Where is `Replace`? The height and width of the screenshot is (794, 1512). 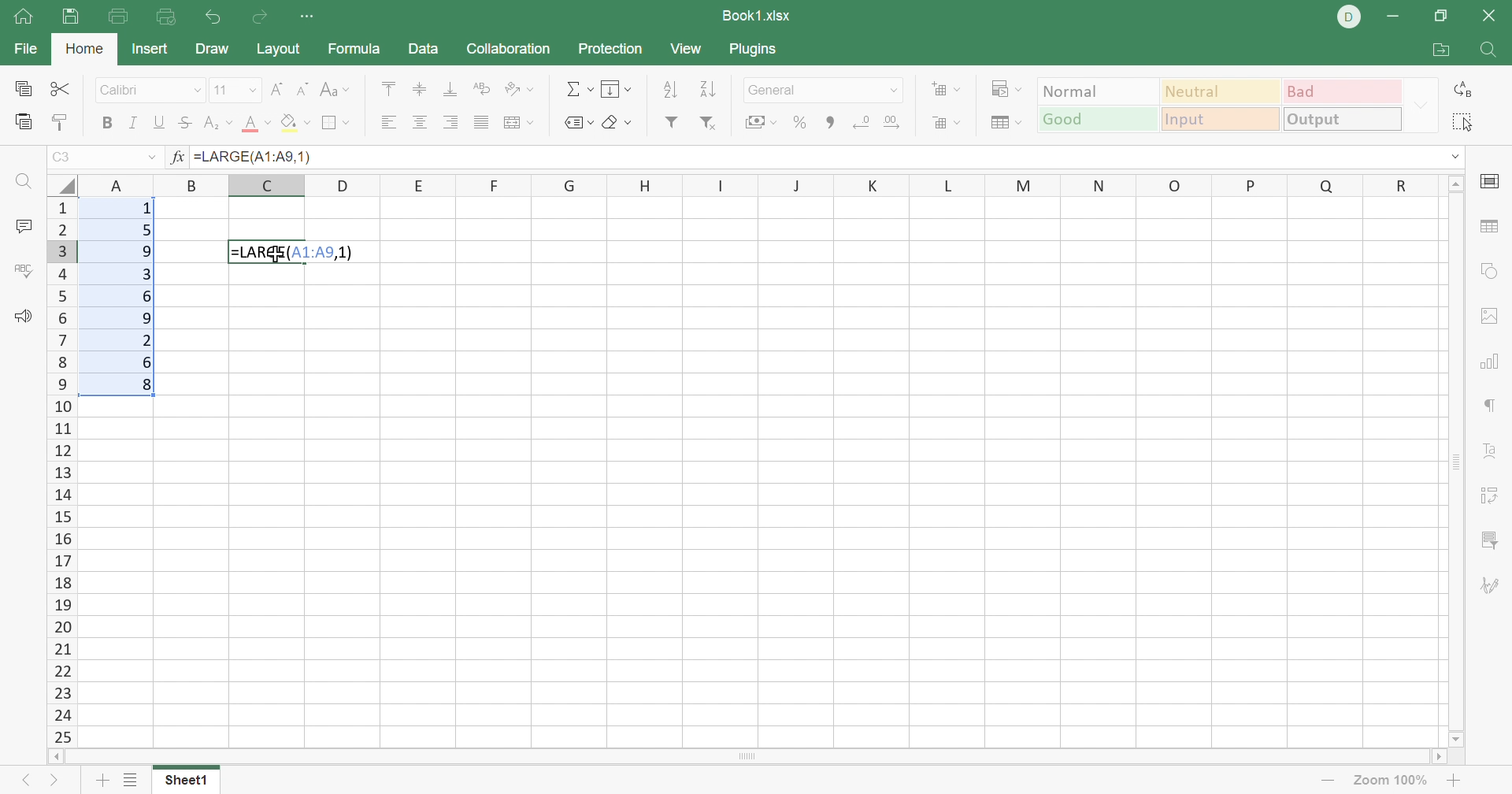 Replace is located at coordinates (1463, 87).